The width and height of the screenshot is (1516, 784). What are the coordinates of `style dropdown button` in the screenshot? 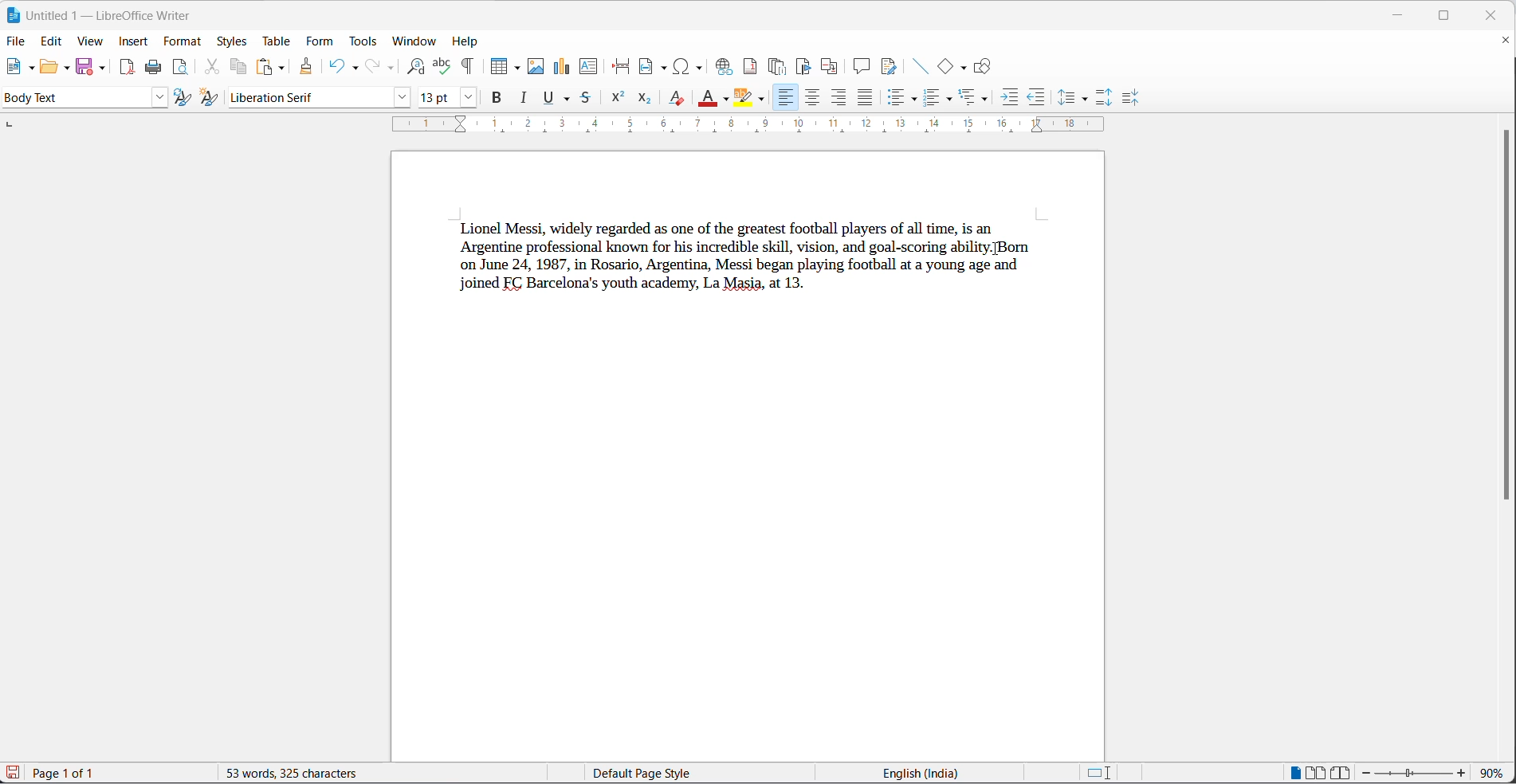 It's located at (158, 98).